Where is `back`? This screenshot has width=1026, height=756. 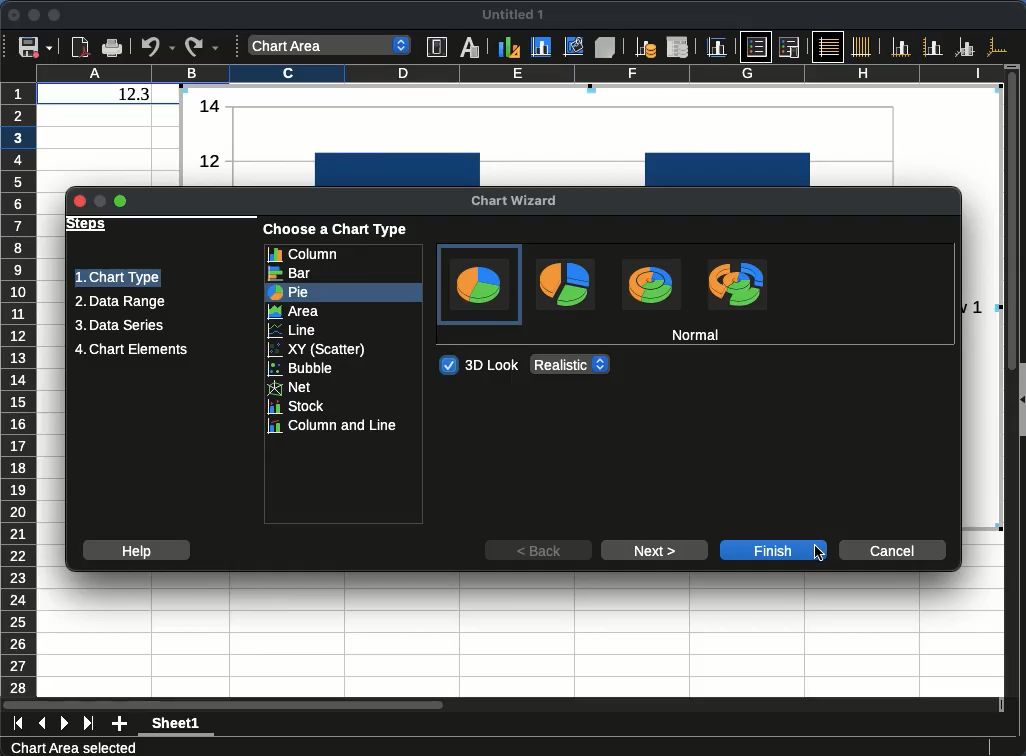
back is located at coordinates (538, 550).